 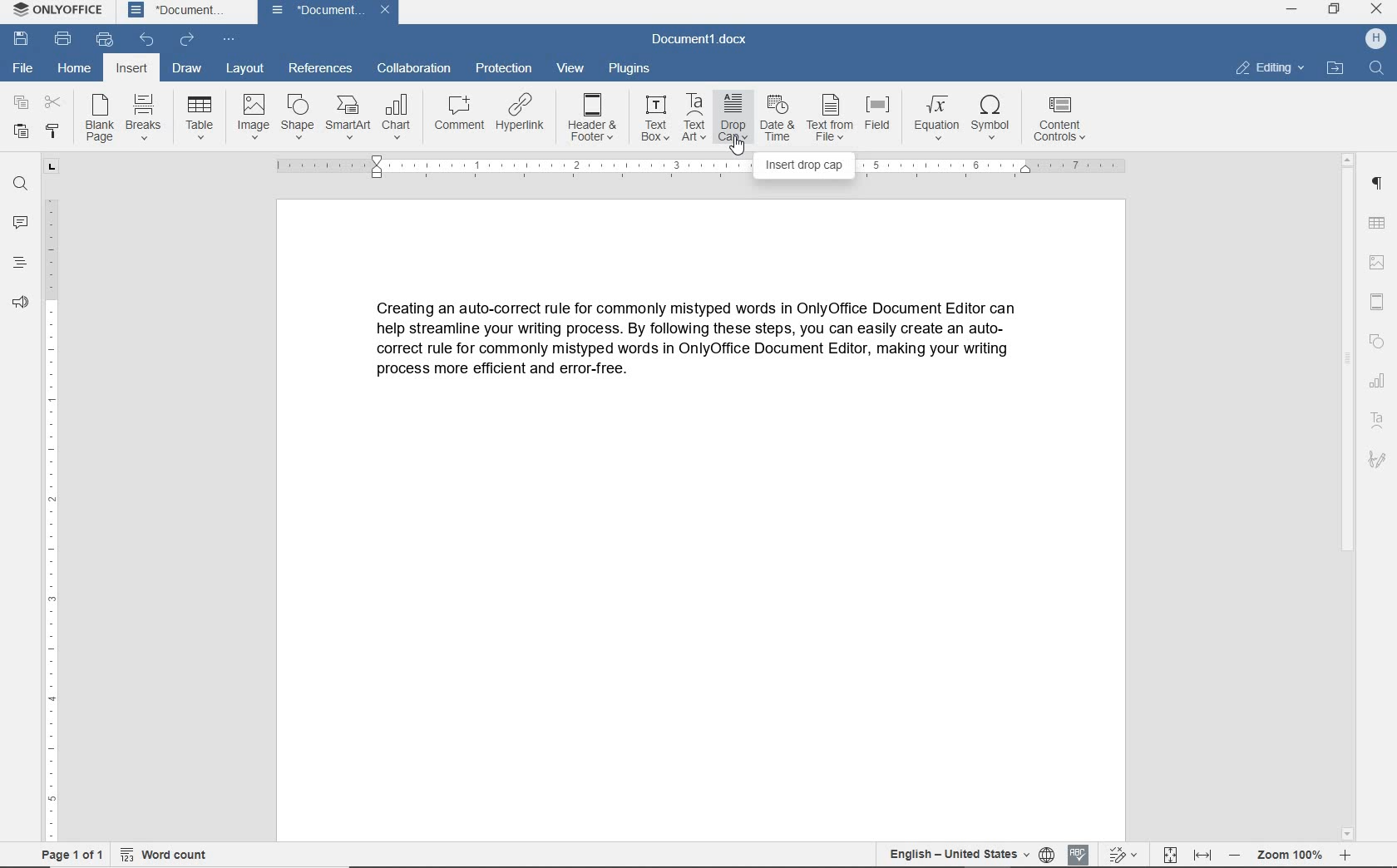 What do you see at coordinates (133, 67) in the screenshot?
I see `insert` at bounding box center [133, 67].